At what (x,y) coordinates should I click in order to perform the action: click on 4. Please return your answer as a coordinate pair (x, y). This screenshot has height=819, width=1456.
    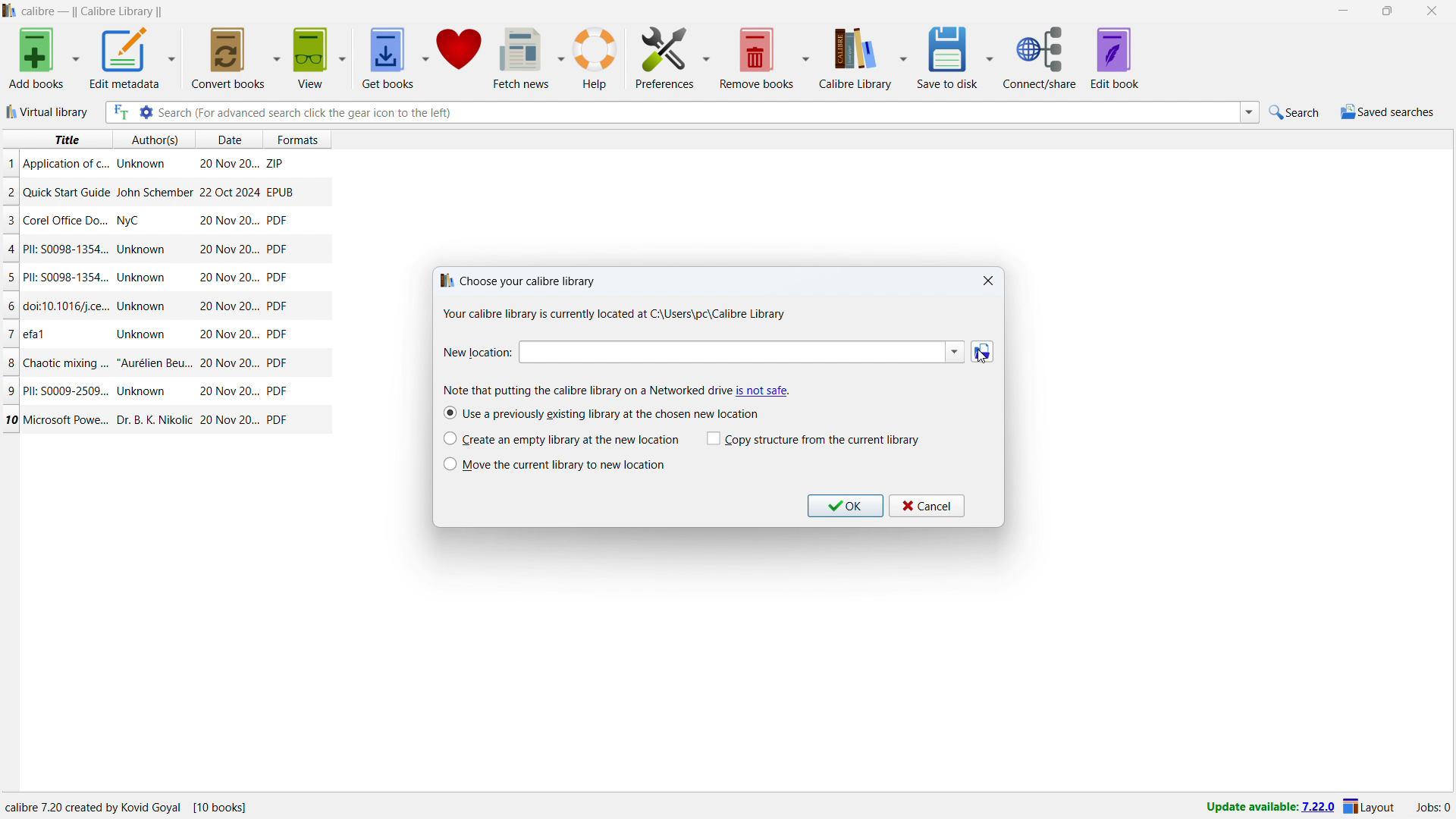
    Looking at the image, I should click on (12, 249).